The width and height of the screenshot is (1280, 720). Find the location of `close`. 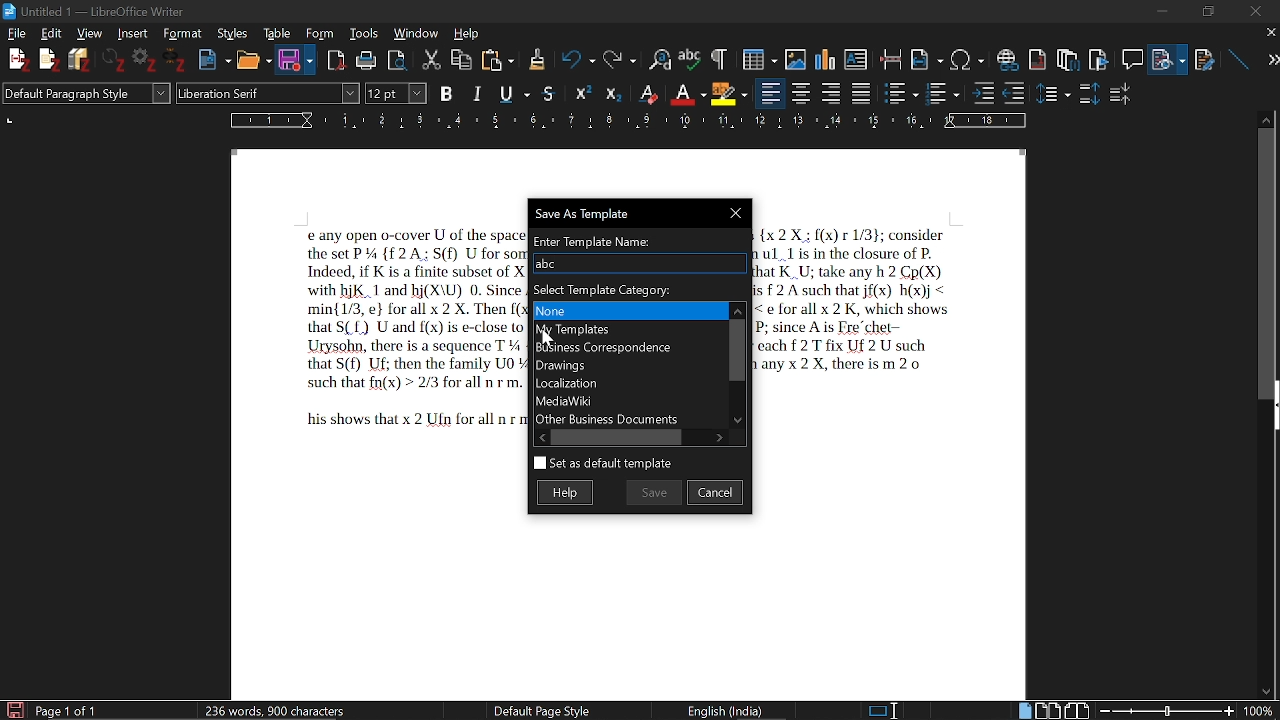

close is located at coordinates (1269, 34).